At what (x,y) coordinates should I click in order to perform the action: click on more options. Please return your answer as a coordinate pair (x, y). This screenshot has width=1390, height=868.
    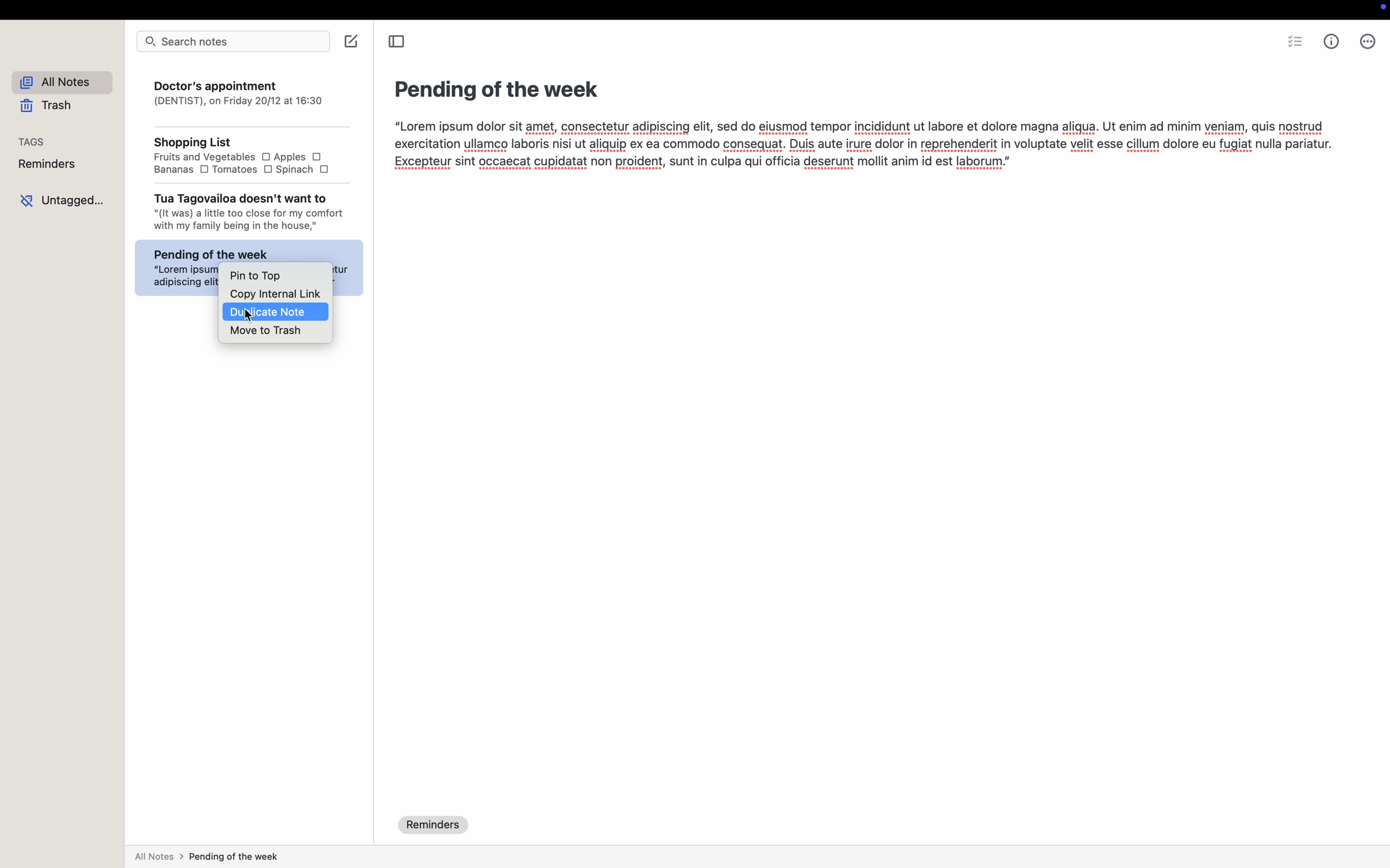
    Looking at the image, I should click on (1368, 43).